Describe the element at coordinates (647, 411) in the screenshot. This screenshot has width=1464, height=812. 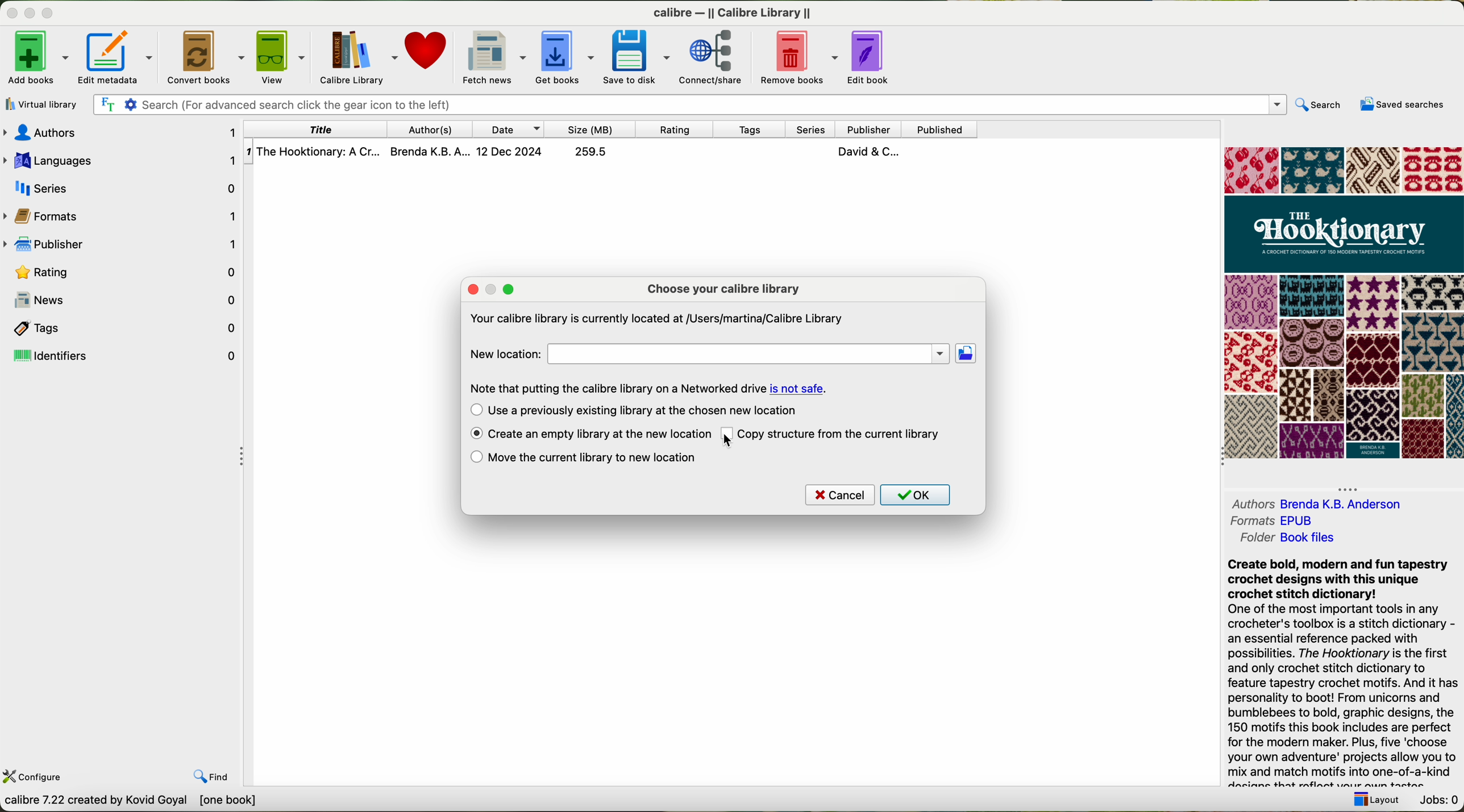
I see `use a previously existing library at the chosen new location` at that location.